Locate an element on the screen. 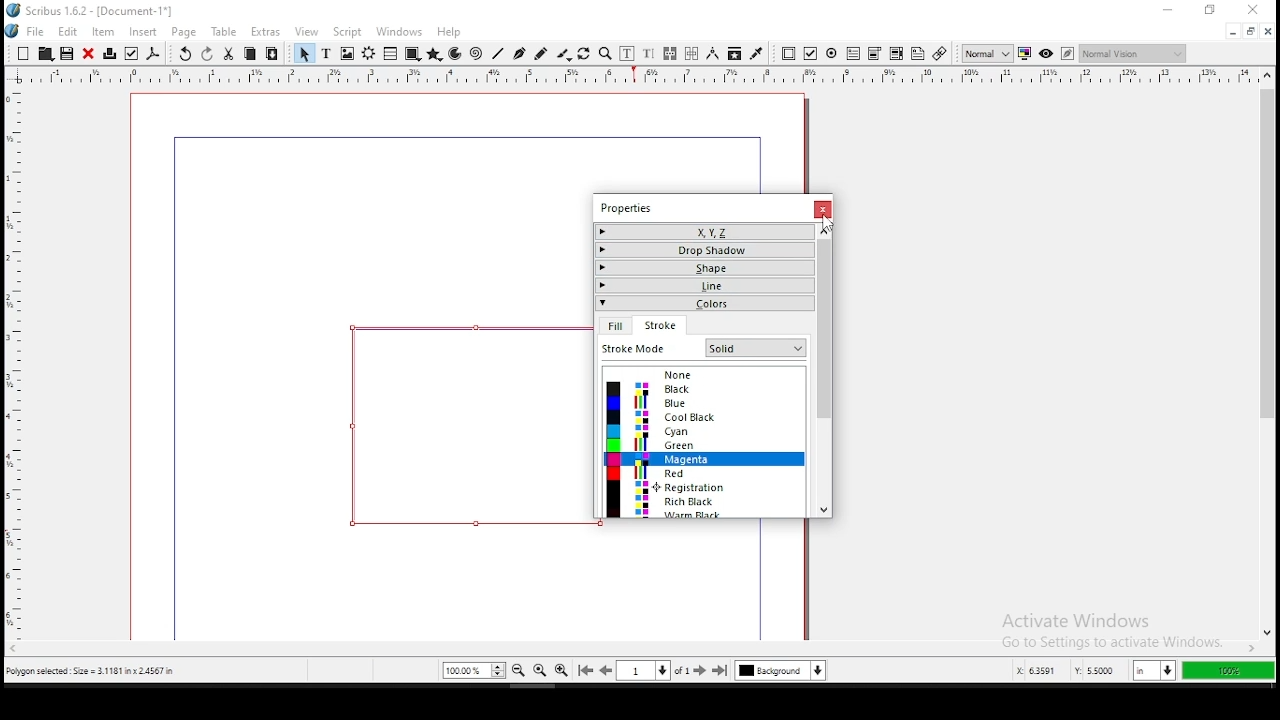 This screenshot has width=1280, height=720. select current layer is located at coordinates (780, 670).